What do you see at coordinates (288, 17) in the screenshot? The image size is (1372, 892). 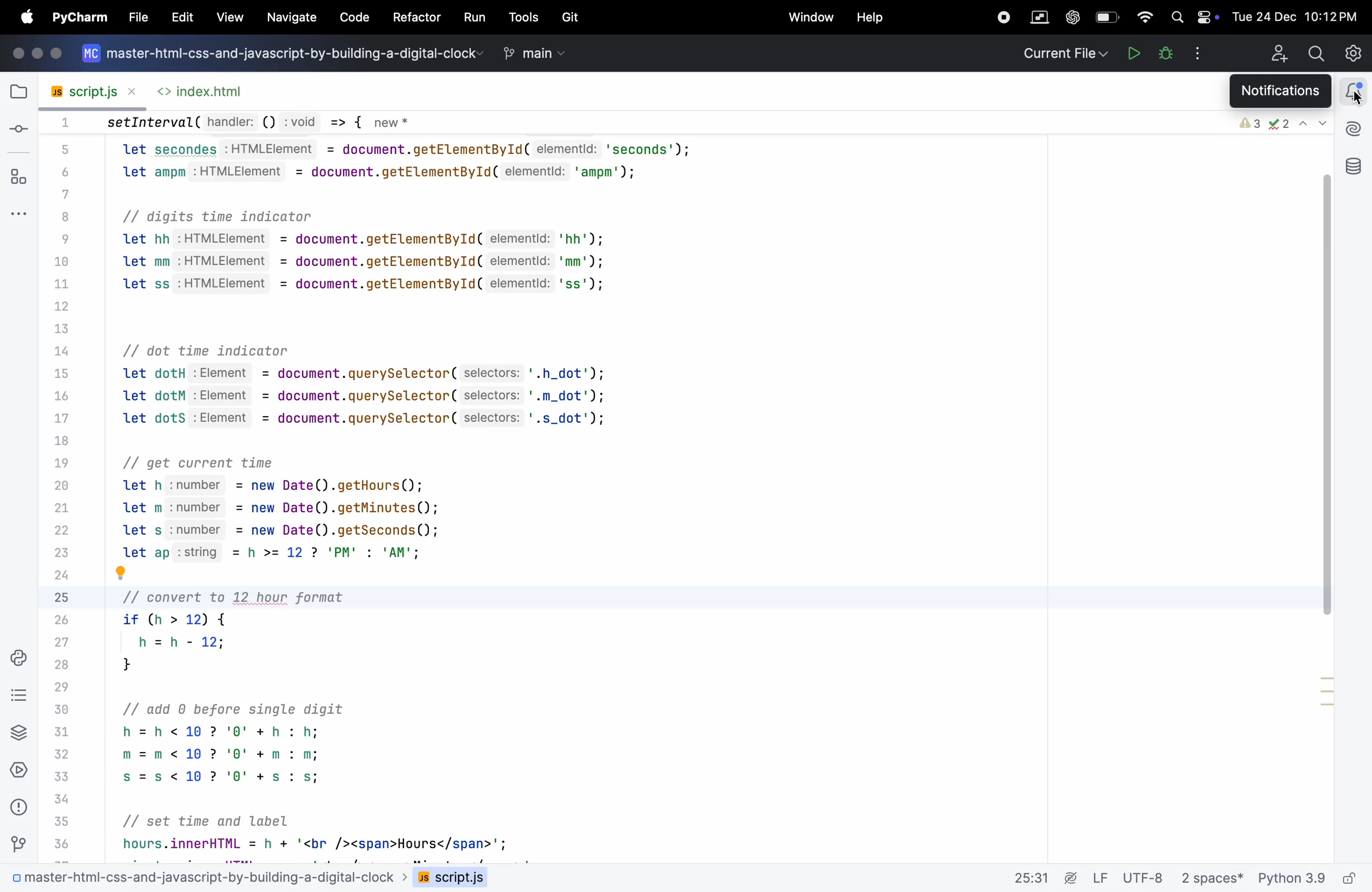 I see `navigate` at bounding box center [288, 17].